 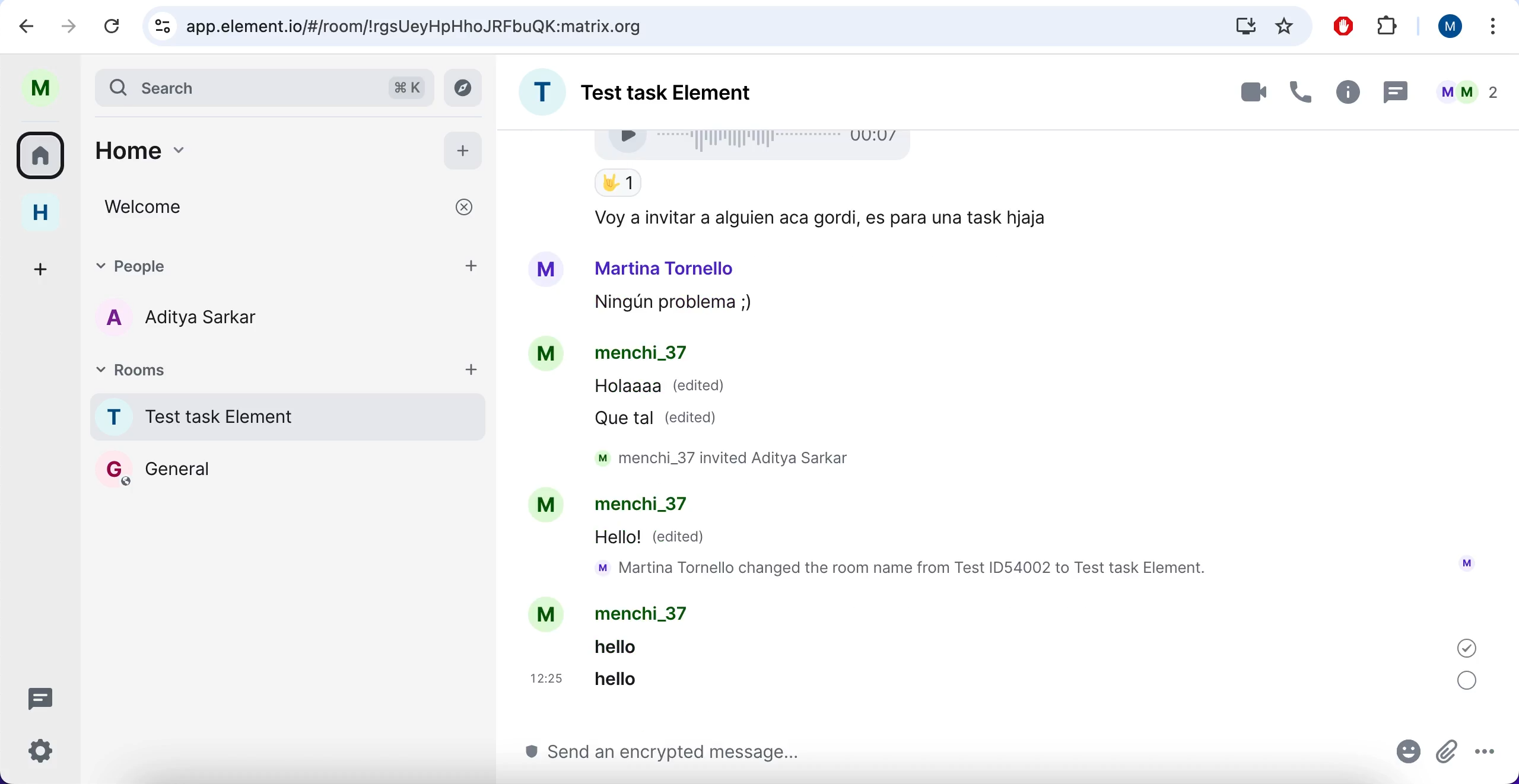 I want to click on extensions, so click(x=1390, y=27).